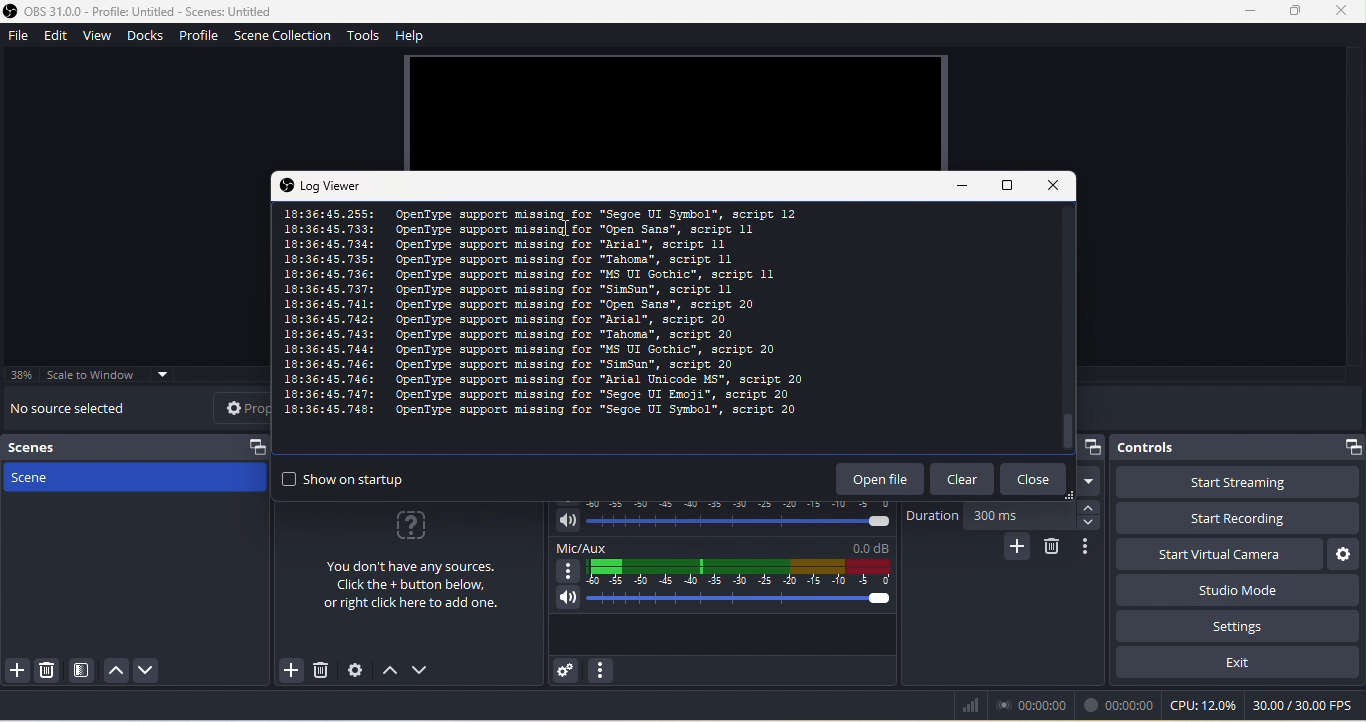 This screenshot has width=1366, height=722. What do you see at coordinates (961, 478) in the screenshot?
I see `clear` at bounding box center [961, 478].